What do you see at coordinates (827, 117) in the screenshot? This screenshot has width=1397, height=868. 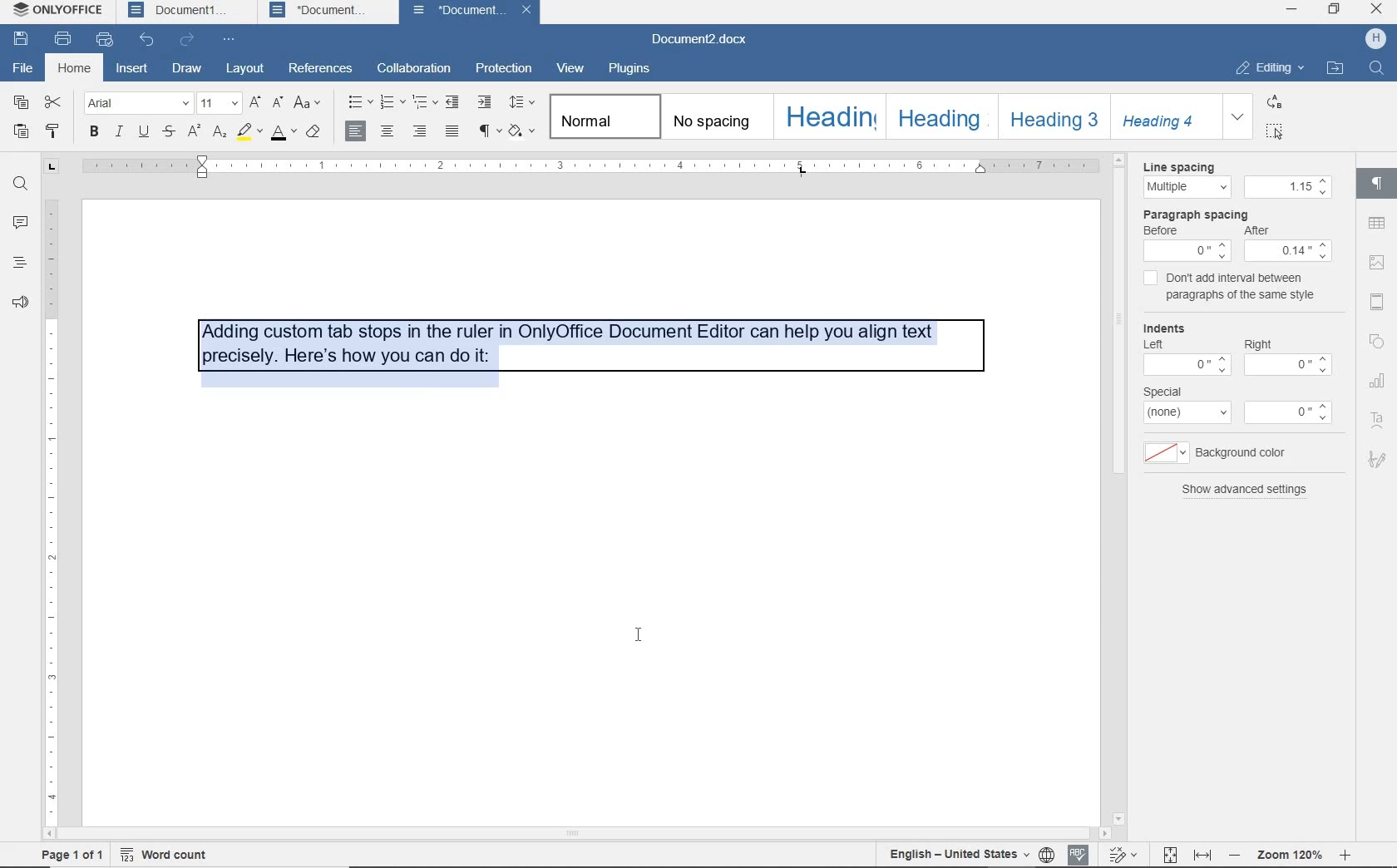 I see `heading 1` at bounding box center [827, 117].